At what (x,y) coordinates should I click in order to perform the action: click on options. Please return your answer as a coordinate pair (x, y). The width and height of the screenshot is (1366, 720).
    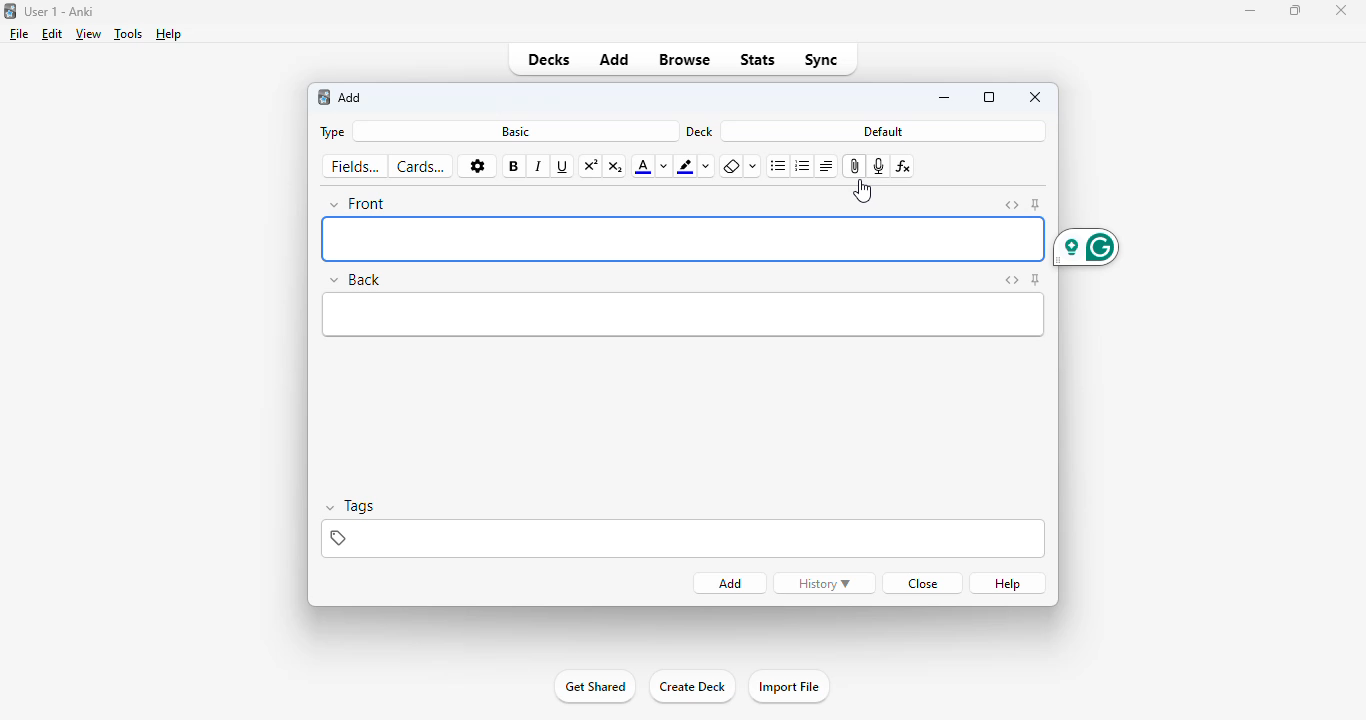
    Looking at the image, I should click on (476, 166).